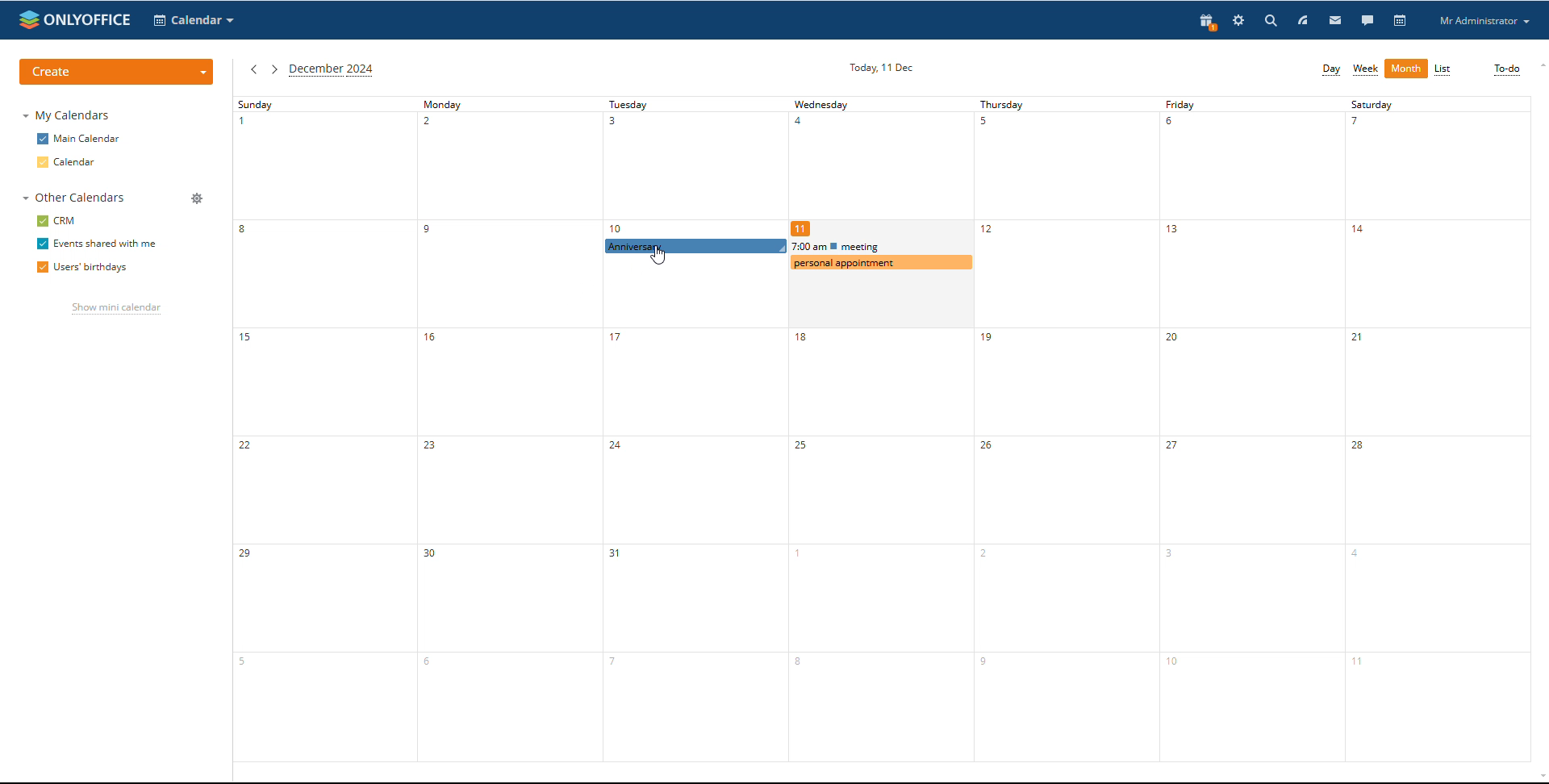 The width and height of the screenshot is (1549, 784). What do you see at coordinates (115, 309) in the screenshot?
I see `show mini calendar` at bounding box center [115, 309].